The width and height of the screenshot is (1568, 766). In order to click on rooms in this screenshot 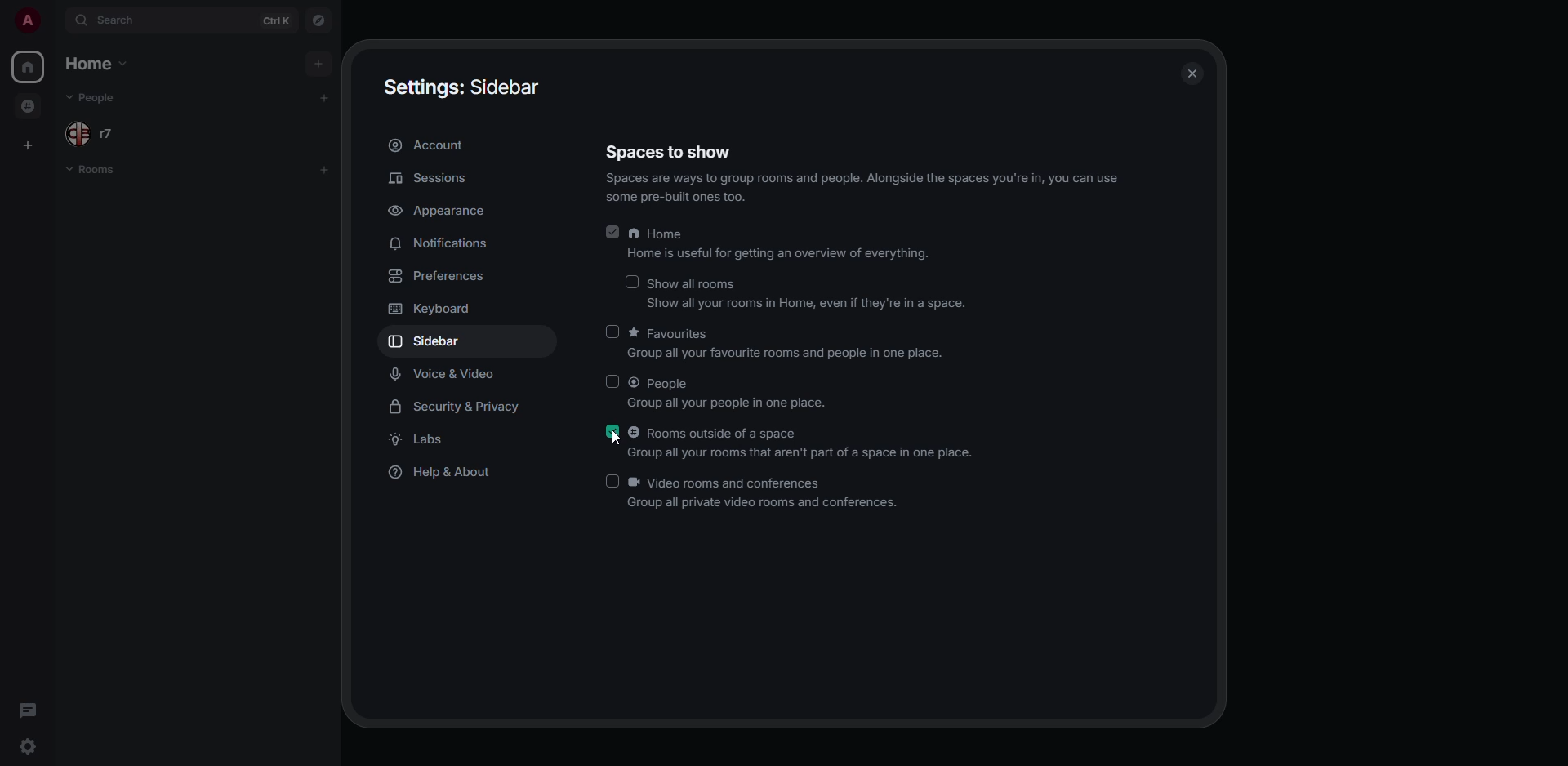, I will do `click(96, 170)`.